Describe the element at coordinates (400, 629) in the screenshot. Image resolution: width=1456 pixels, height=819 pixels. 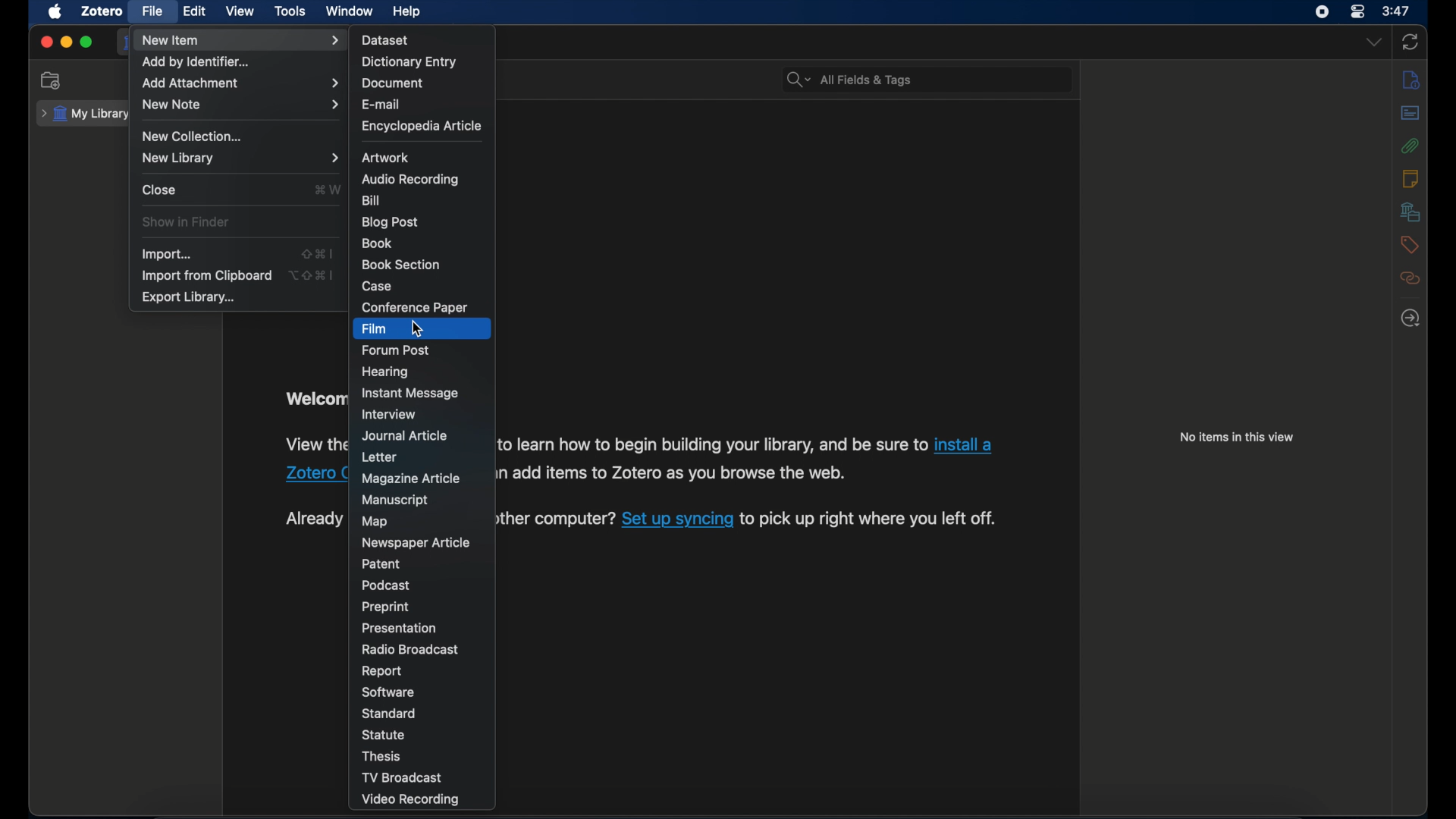
I see `presentation` at that location.